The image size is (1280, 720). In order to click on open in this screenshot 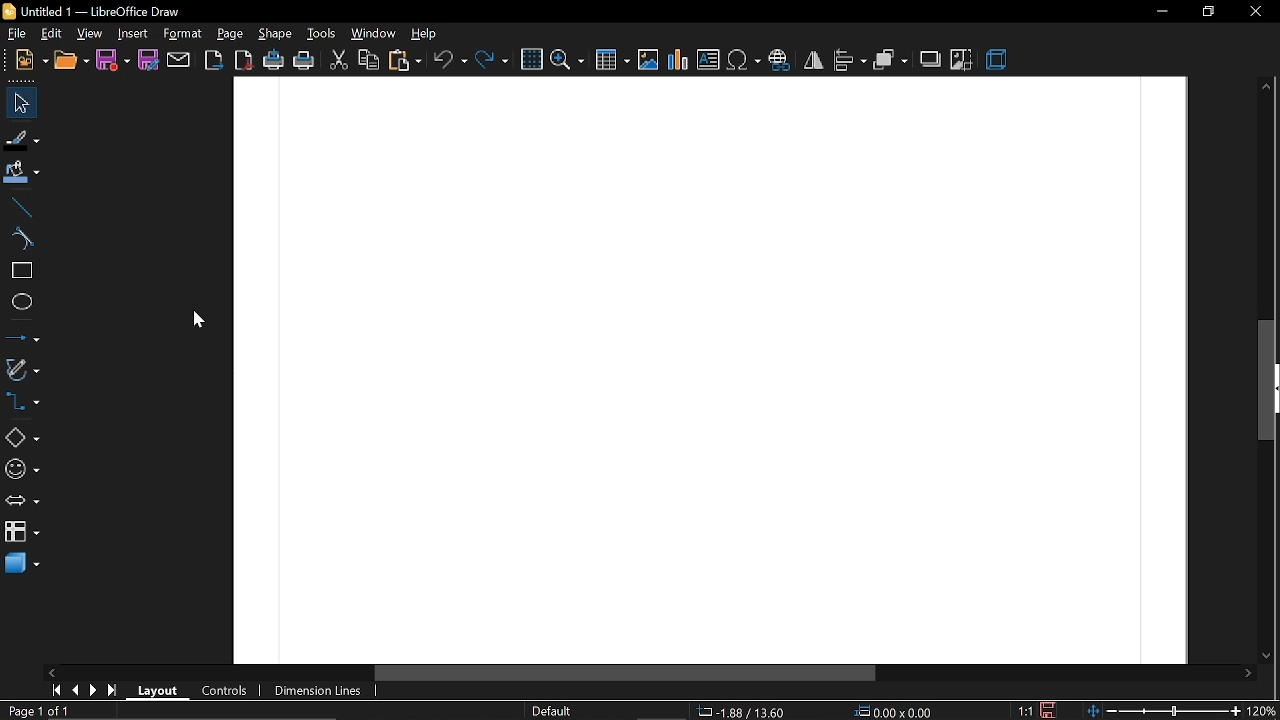, I will do `click(71, 60)`.